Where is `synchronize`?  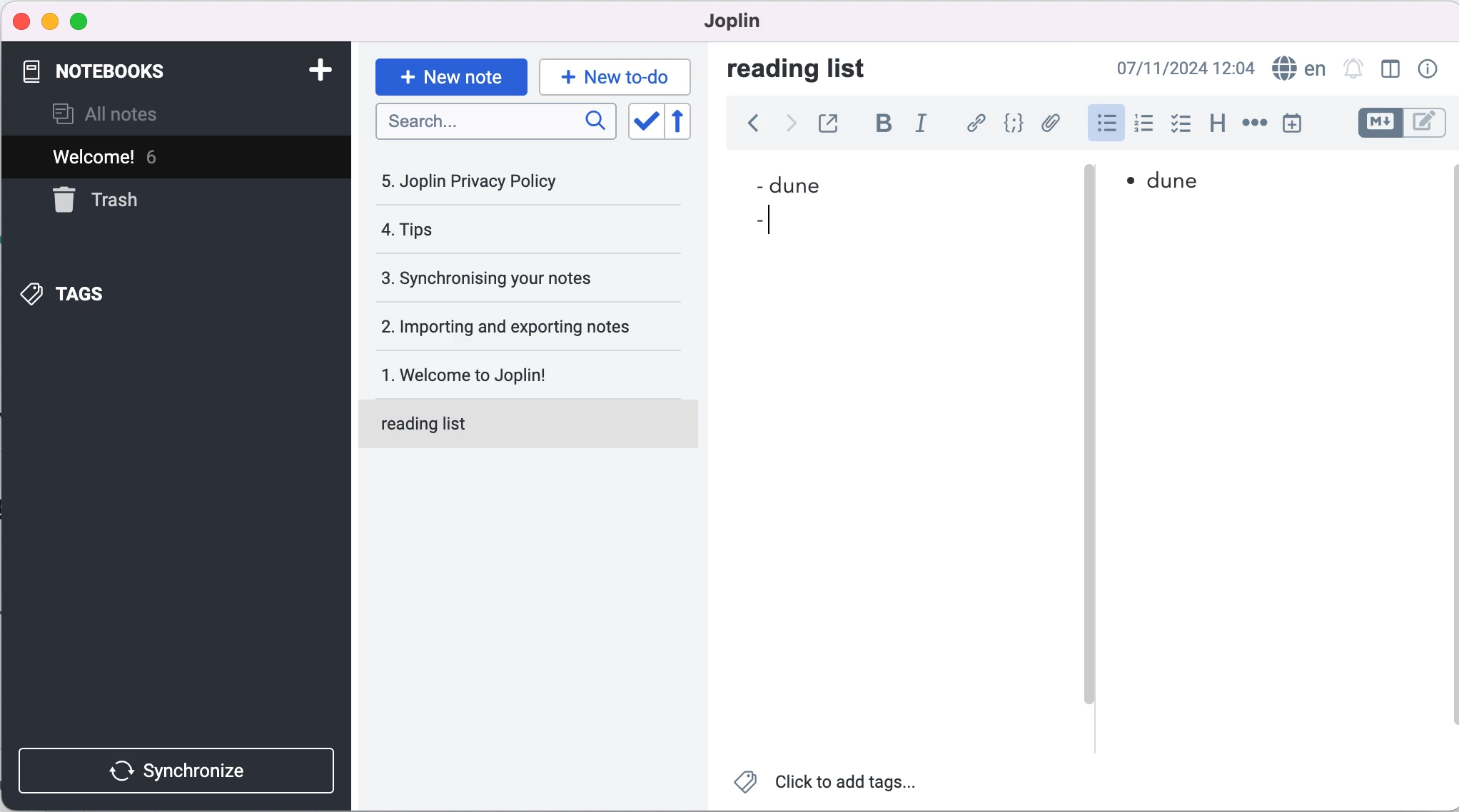 synchronize is located at coordinates (175, 763).